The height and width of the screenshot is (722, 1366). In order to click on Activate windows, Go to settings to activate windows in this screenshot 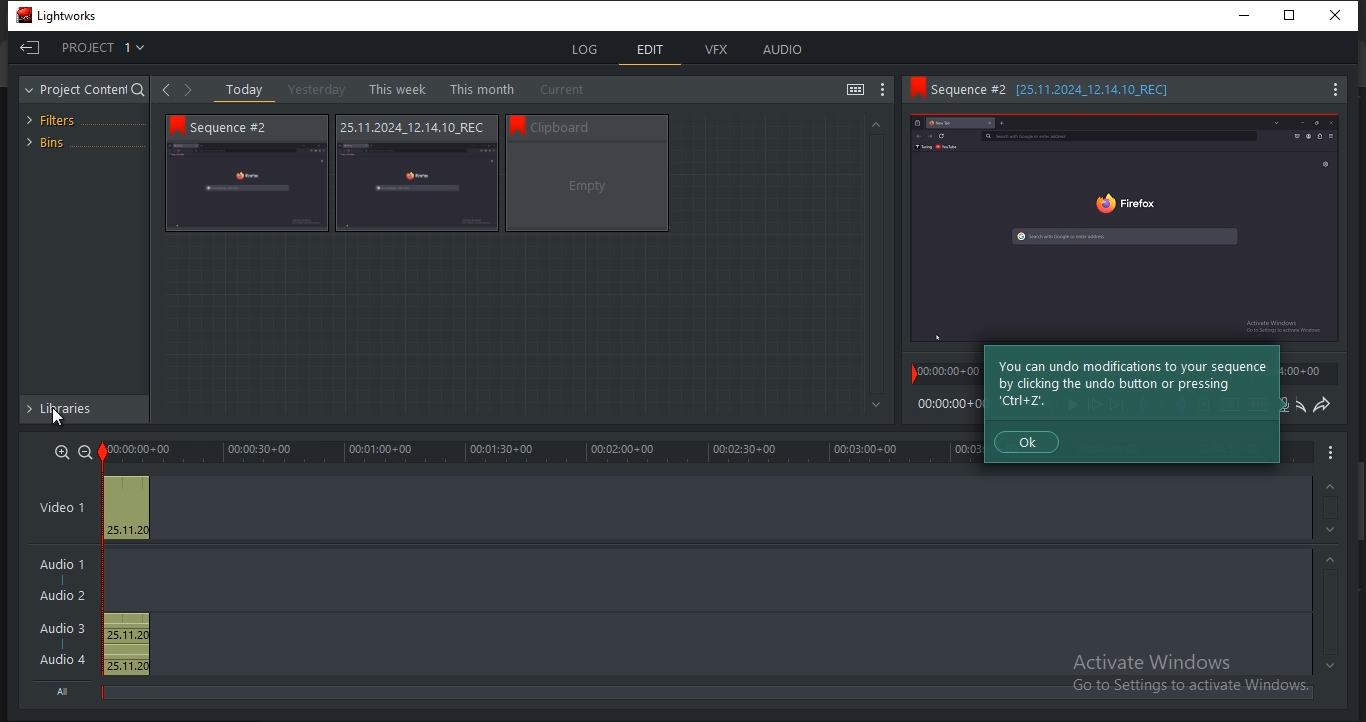, I will do `click(1189, 674)`.